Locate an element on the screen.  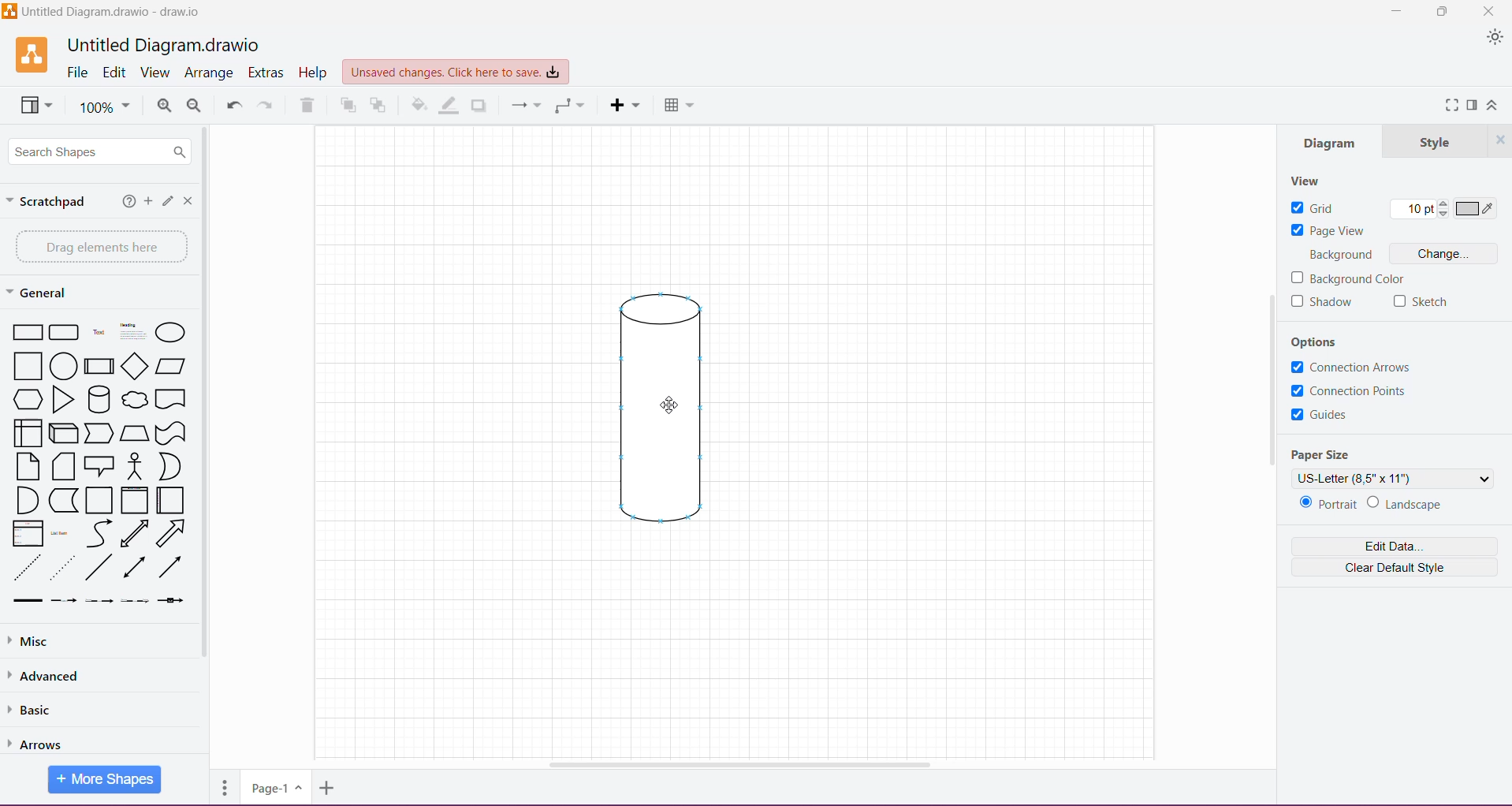
Insert Page is located at coordinates (326, 790).